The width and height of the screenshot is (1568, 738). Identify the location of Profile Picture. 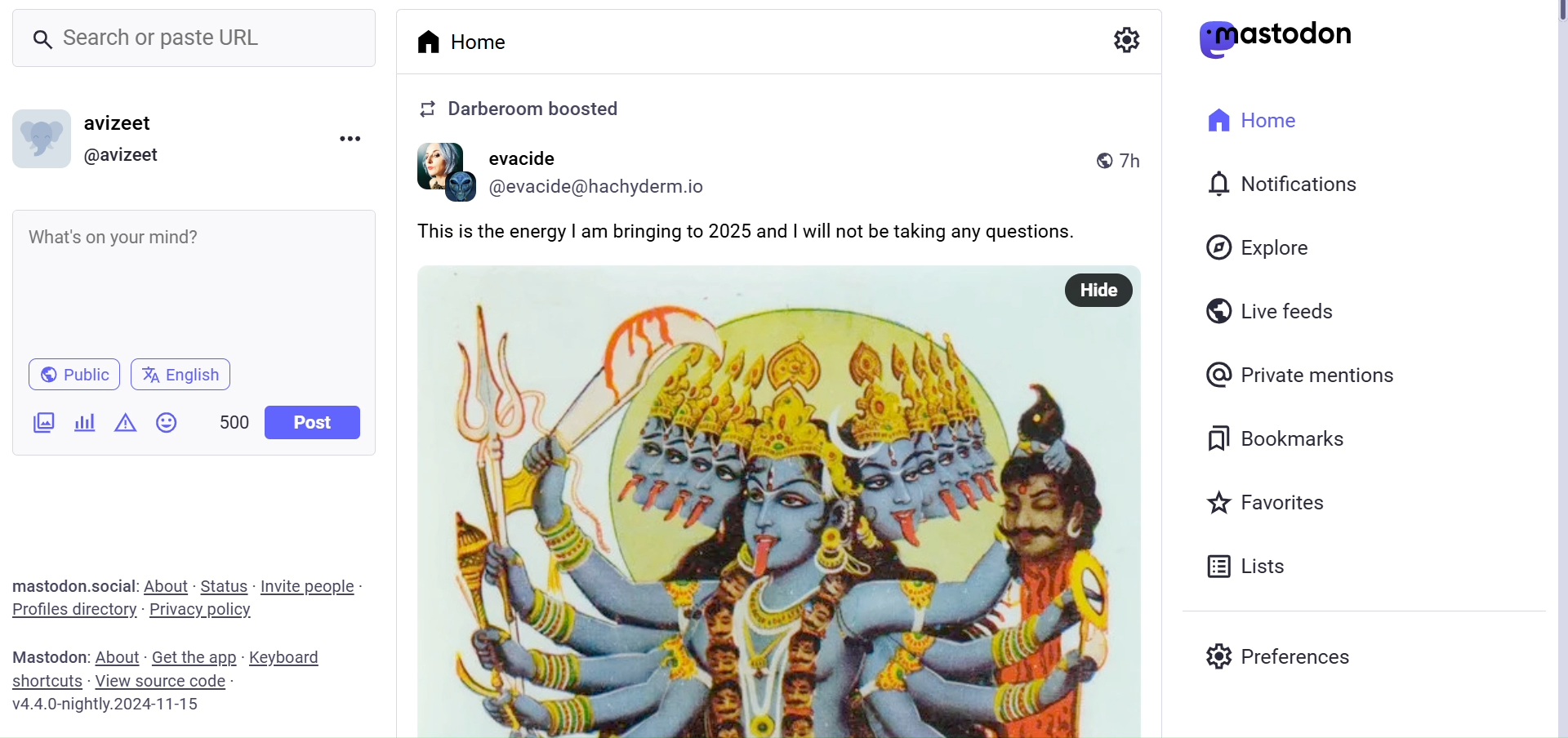
(42, 139).